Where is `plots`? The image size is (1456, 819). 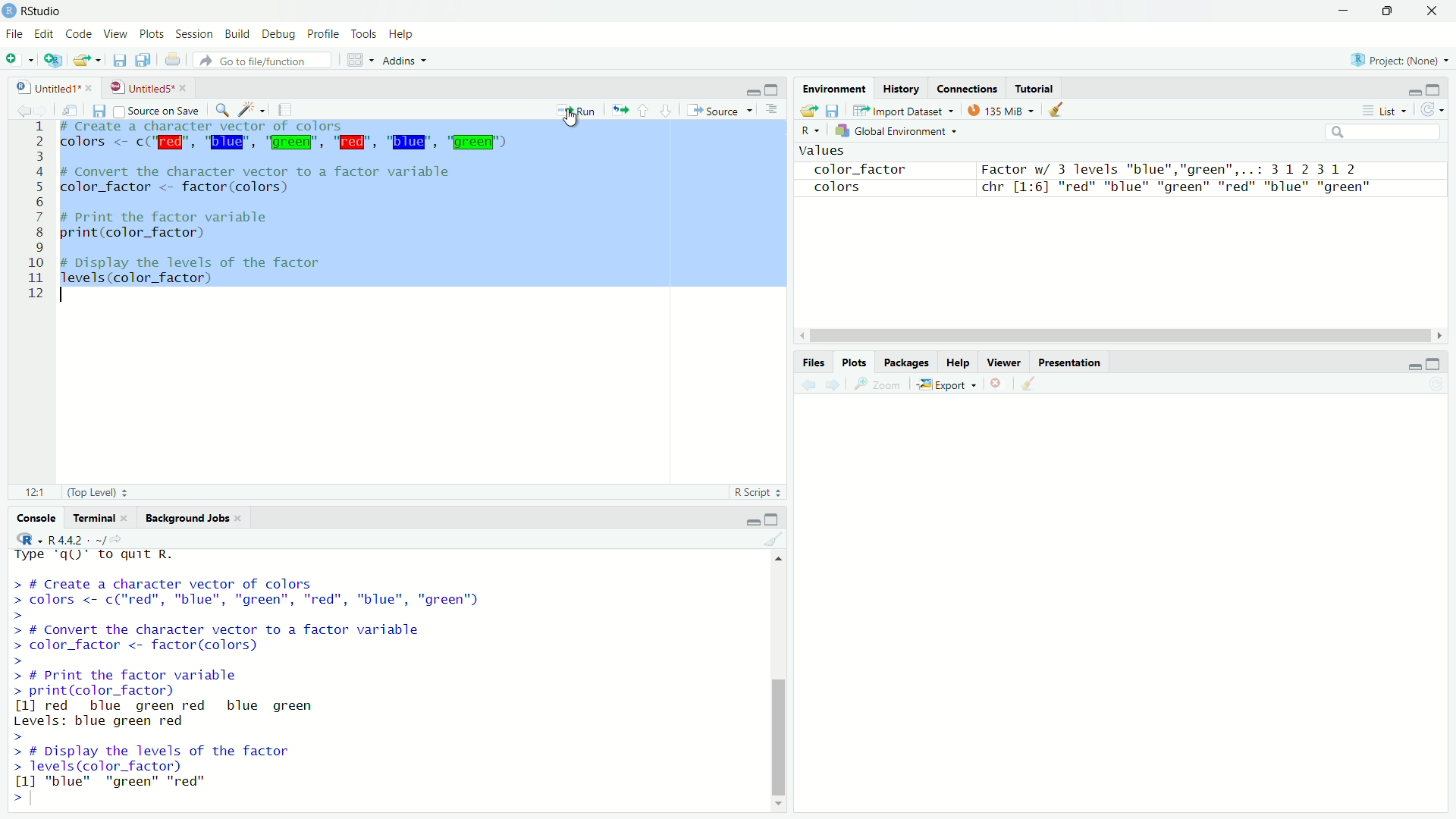
plots is located at coordinates (152, 35).